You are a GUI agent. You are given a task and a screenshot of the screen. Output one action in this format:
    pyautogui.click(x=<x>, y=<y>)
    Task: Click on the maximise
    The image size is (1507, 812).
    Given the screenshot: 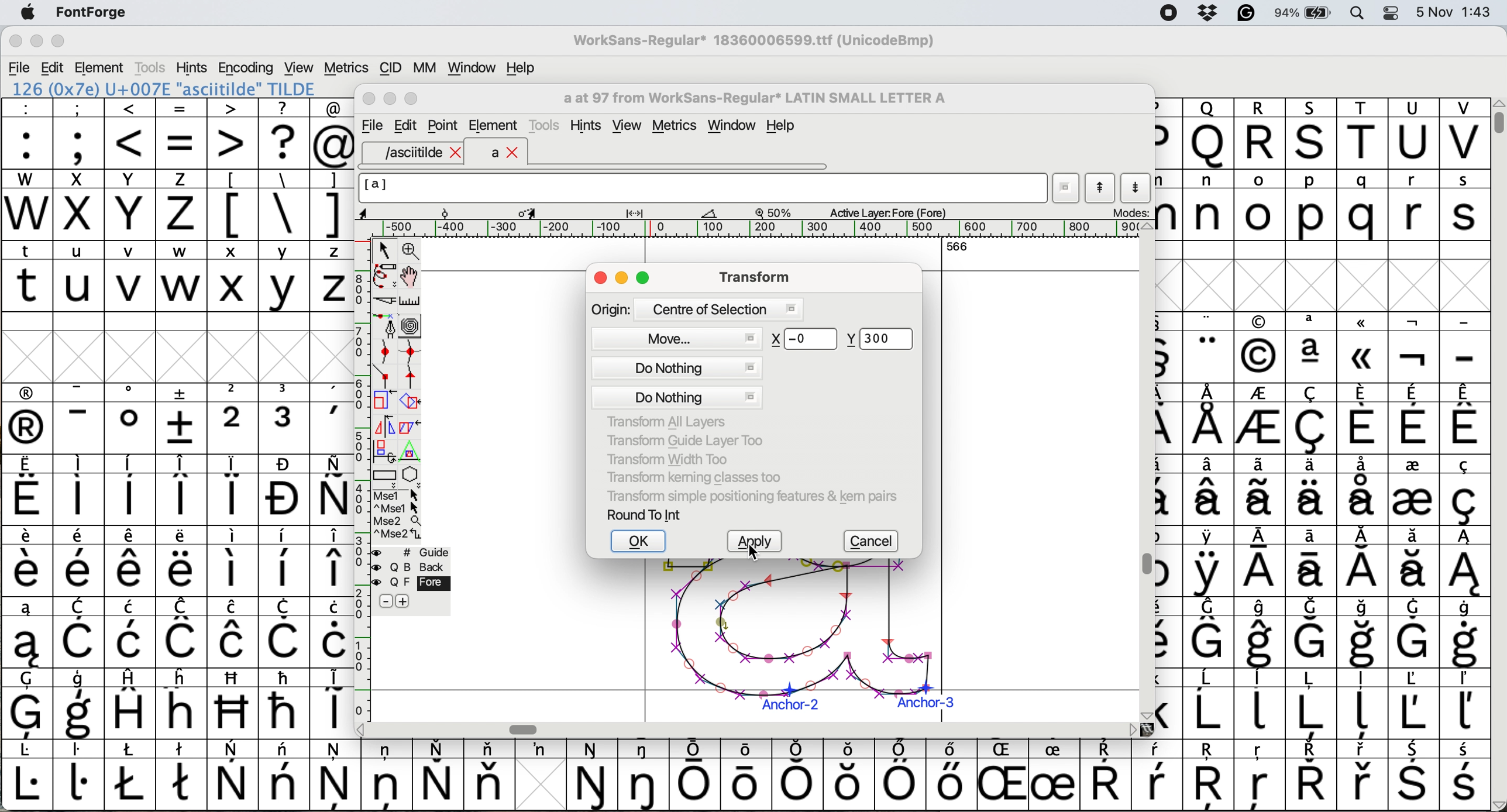 What is the action you would take?
    pyautogui.click(x=645, y=280)
    